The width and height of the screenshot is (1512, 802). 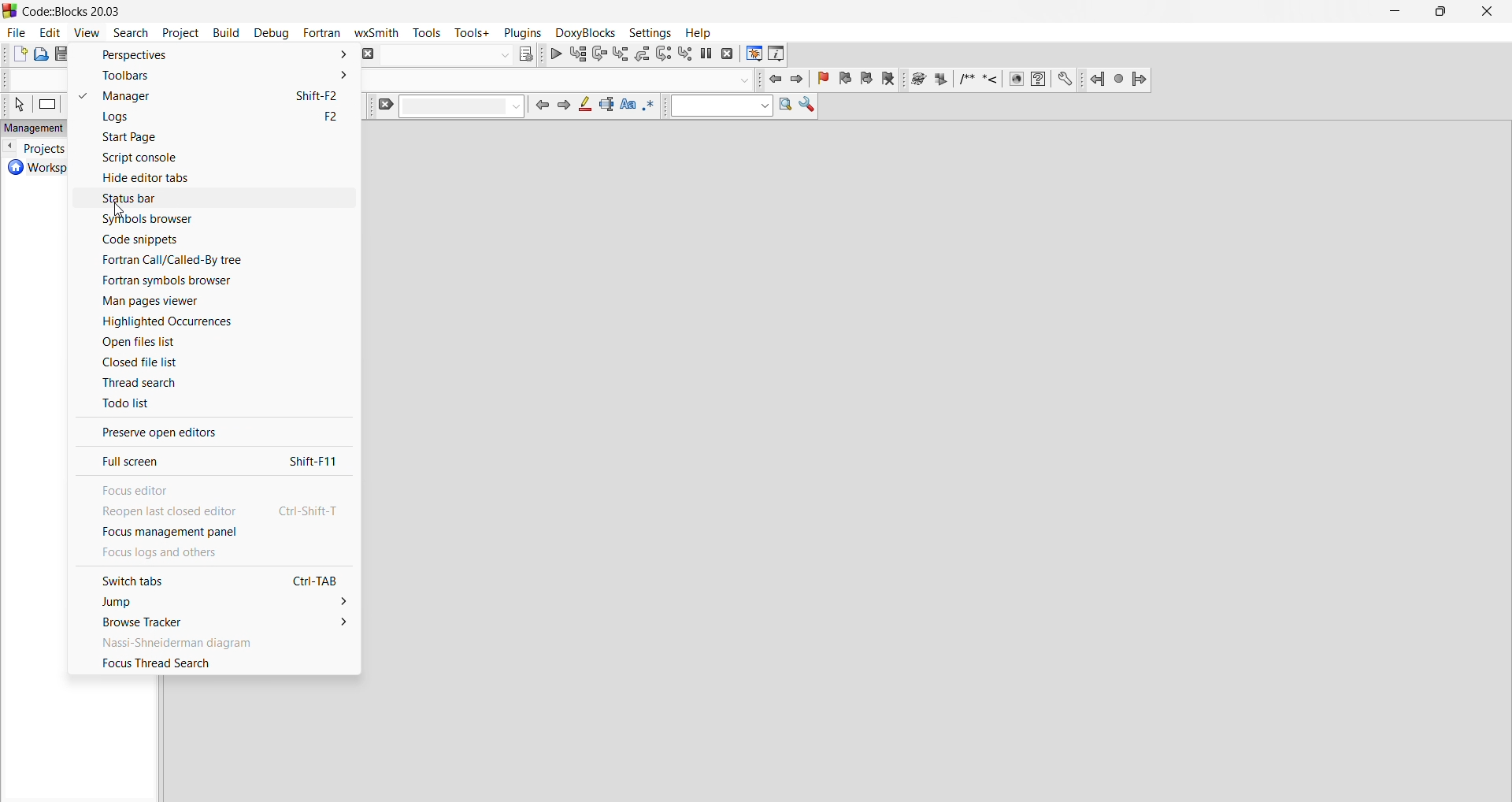 What do you see at coordinates (216, 600) in the screenshot?
I see `jump` at bounding box center [216, 600].